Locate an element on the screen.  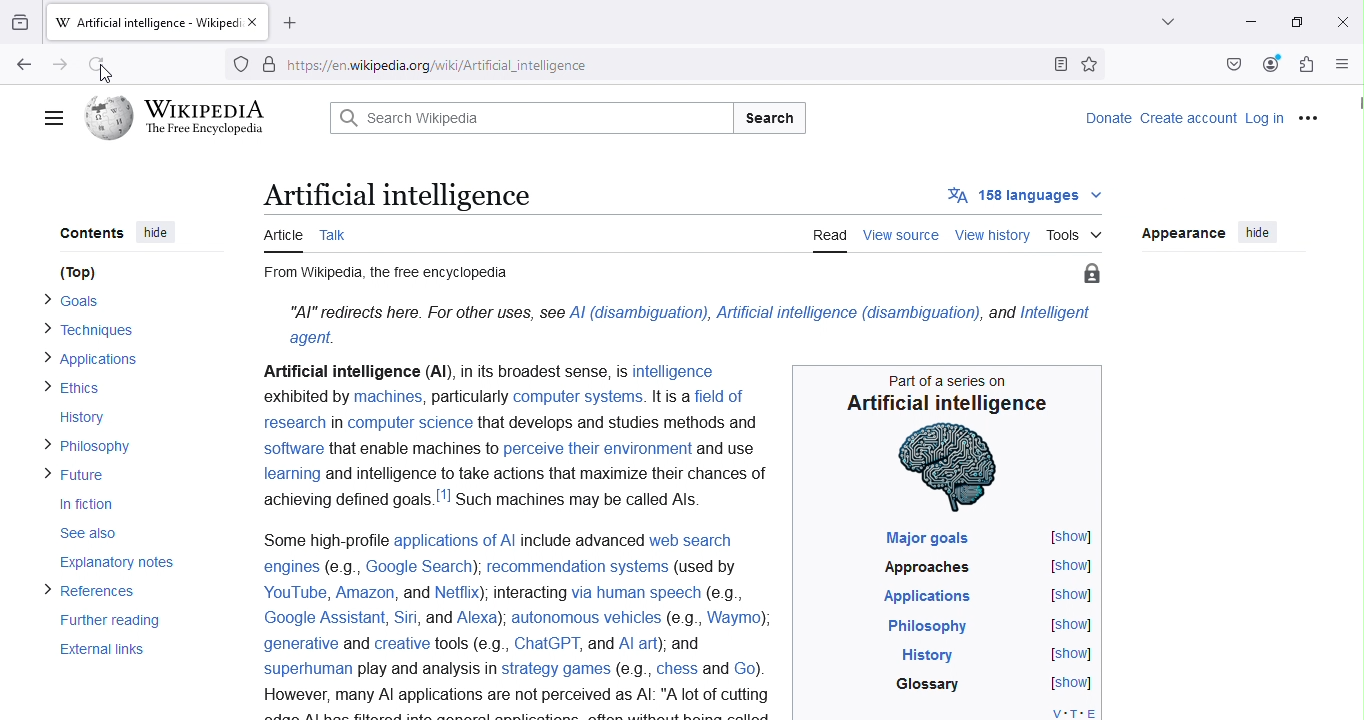
Applications is located at coordinates (926, 596).